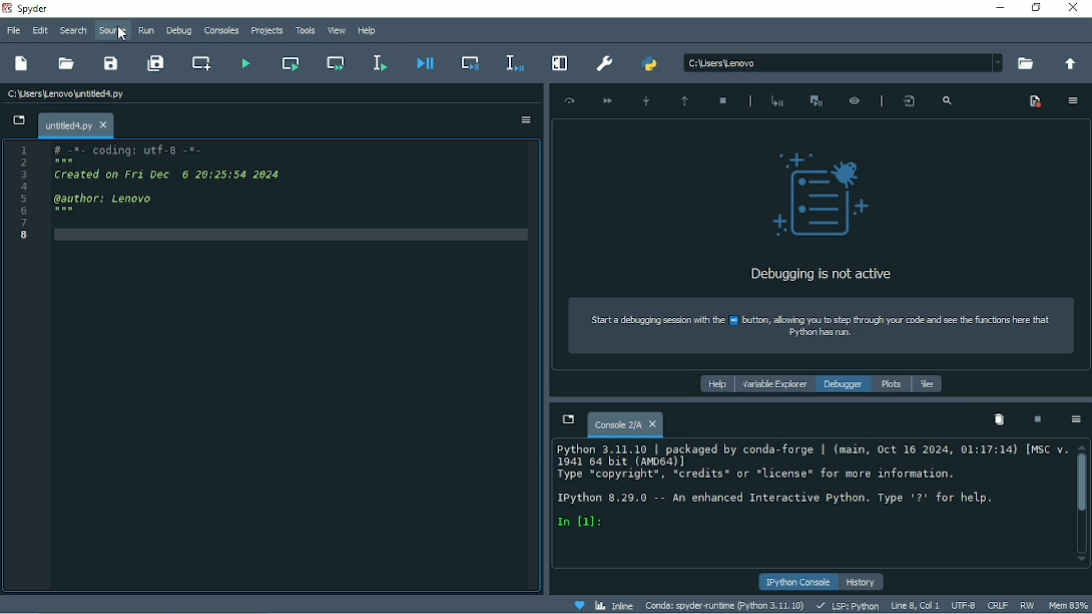 This screenshot has width=1092, height=614. Describe the element at coordinates (724, 605) in the screenshot. I see `Conda` at that location.